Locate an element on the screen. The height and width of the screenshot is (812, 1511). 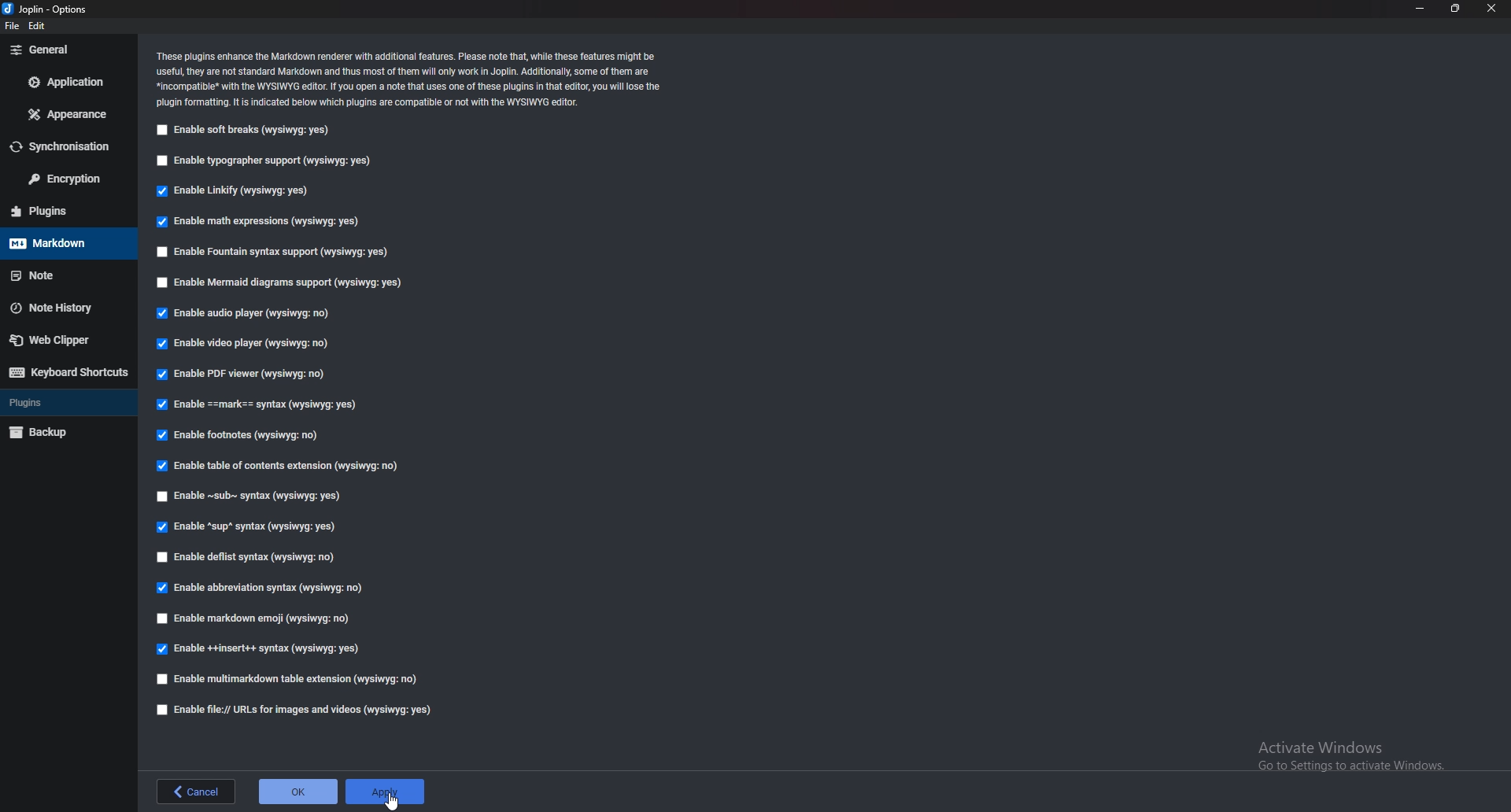
enable soft breaks is located at coordinates (248, 130).